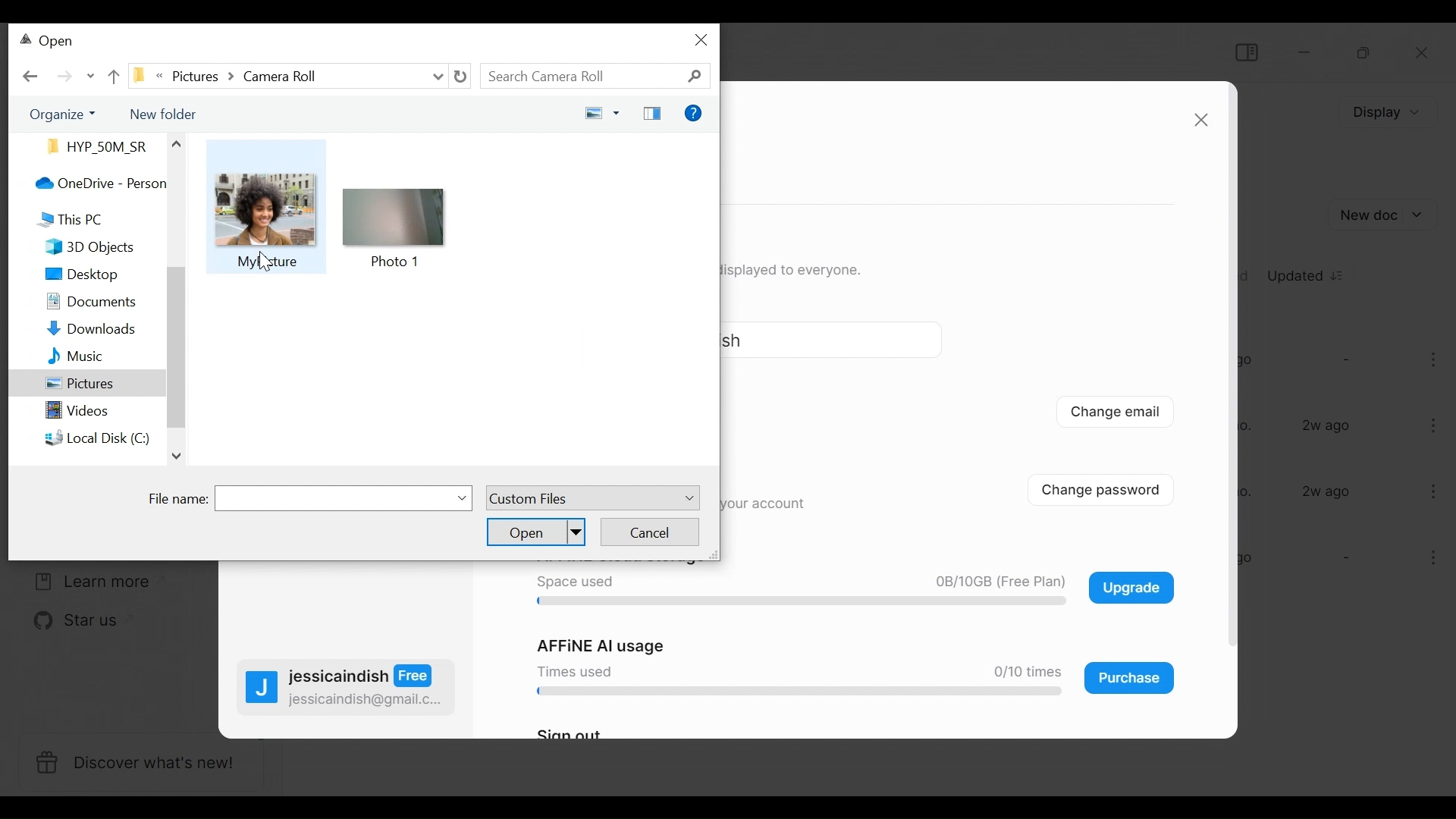 This screenshot has width=1456, height=819. What do you see at coordinates (93, 146) in the screenshot?
I see `Files` at bounding box center [93, 146].